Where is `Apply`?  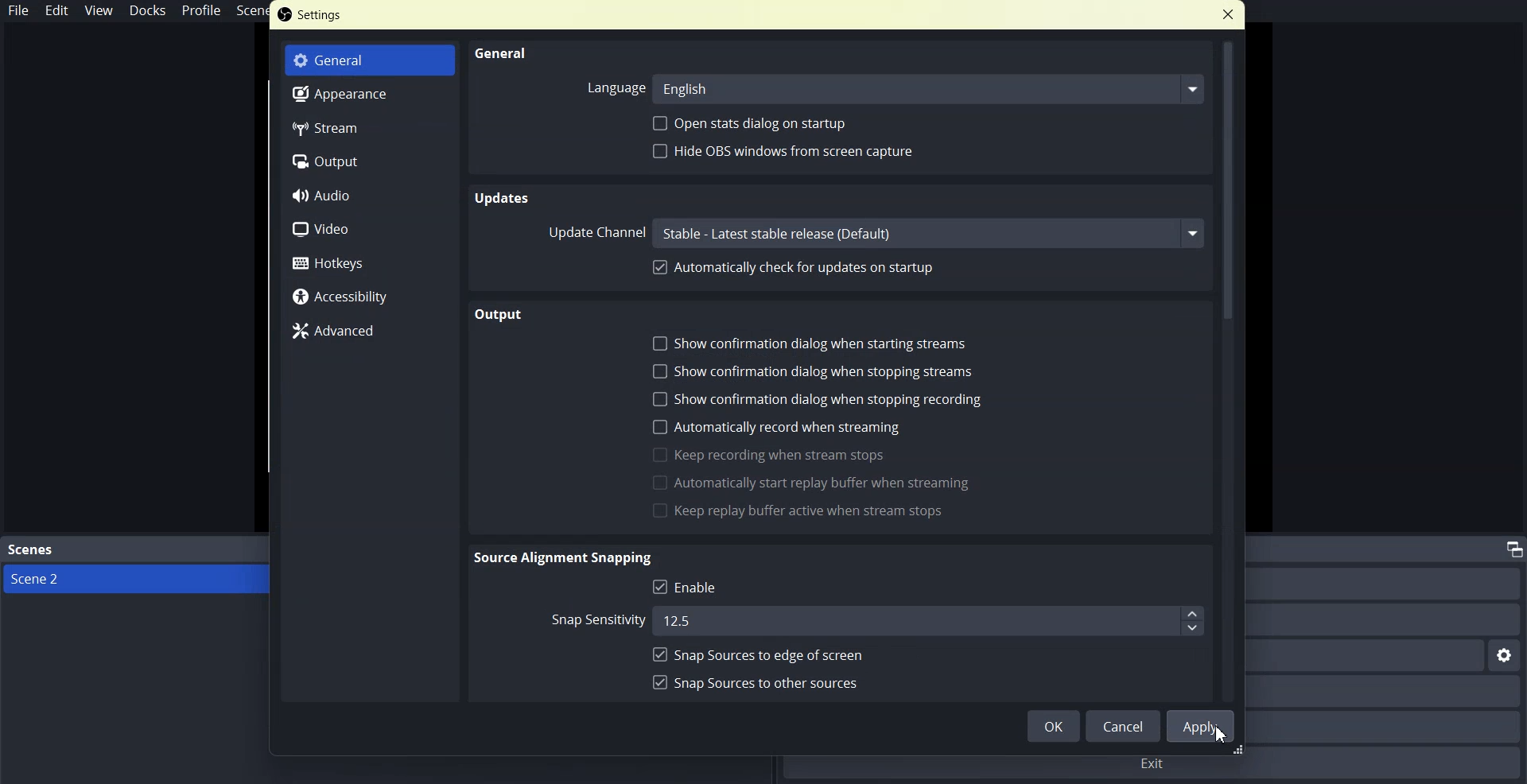
Apply is located at coordinates (1202, 727).